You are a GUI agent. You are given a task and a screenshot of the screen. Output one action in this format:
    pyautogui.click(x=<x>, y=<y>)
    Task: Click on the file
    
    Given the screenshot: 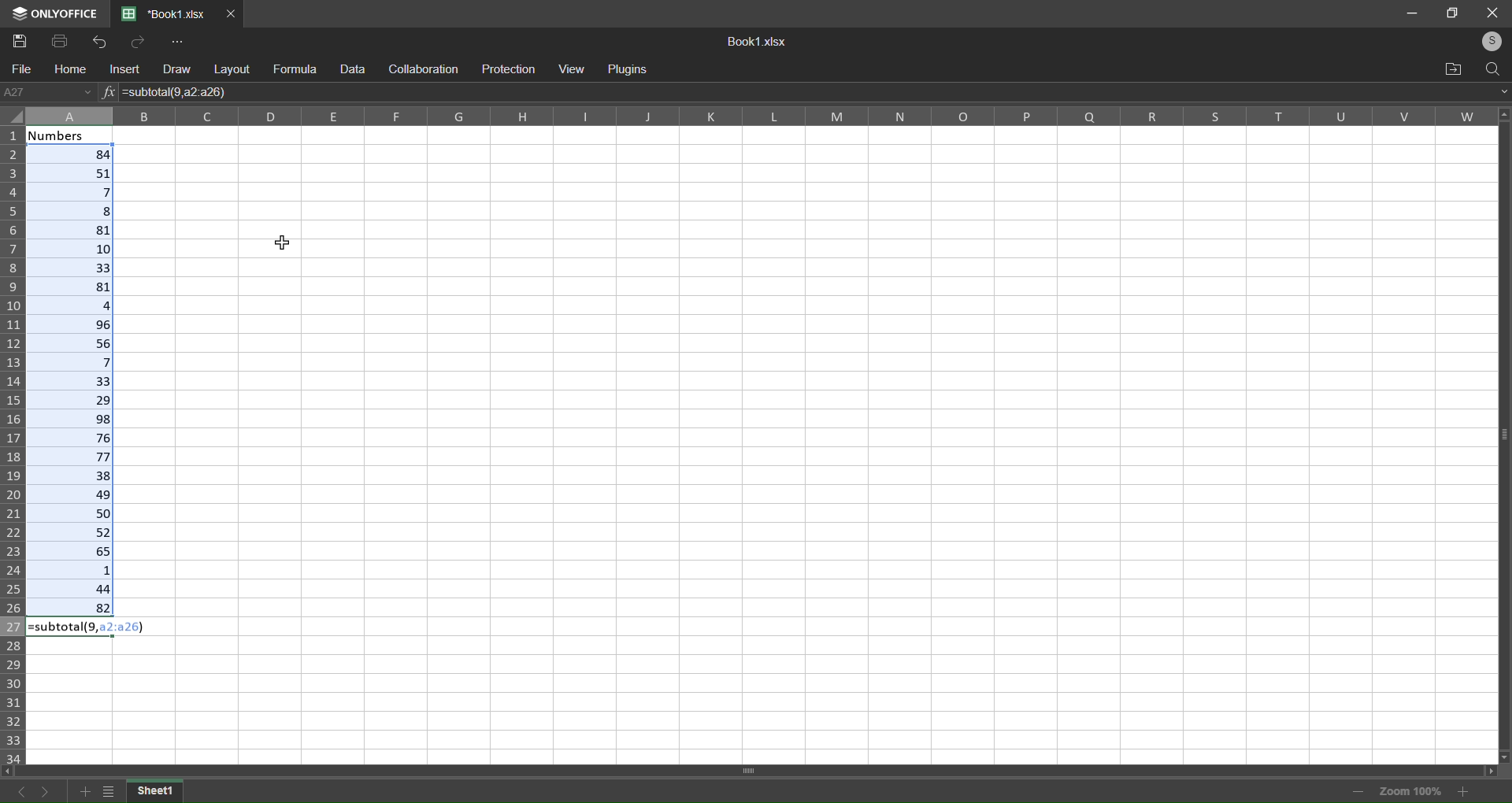 What is the action you would take?
    pyautogui.click(x=22, y=69)
    